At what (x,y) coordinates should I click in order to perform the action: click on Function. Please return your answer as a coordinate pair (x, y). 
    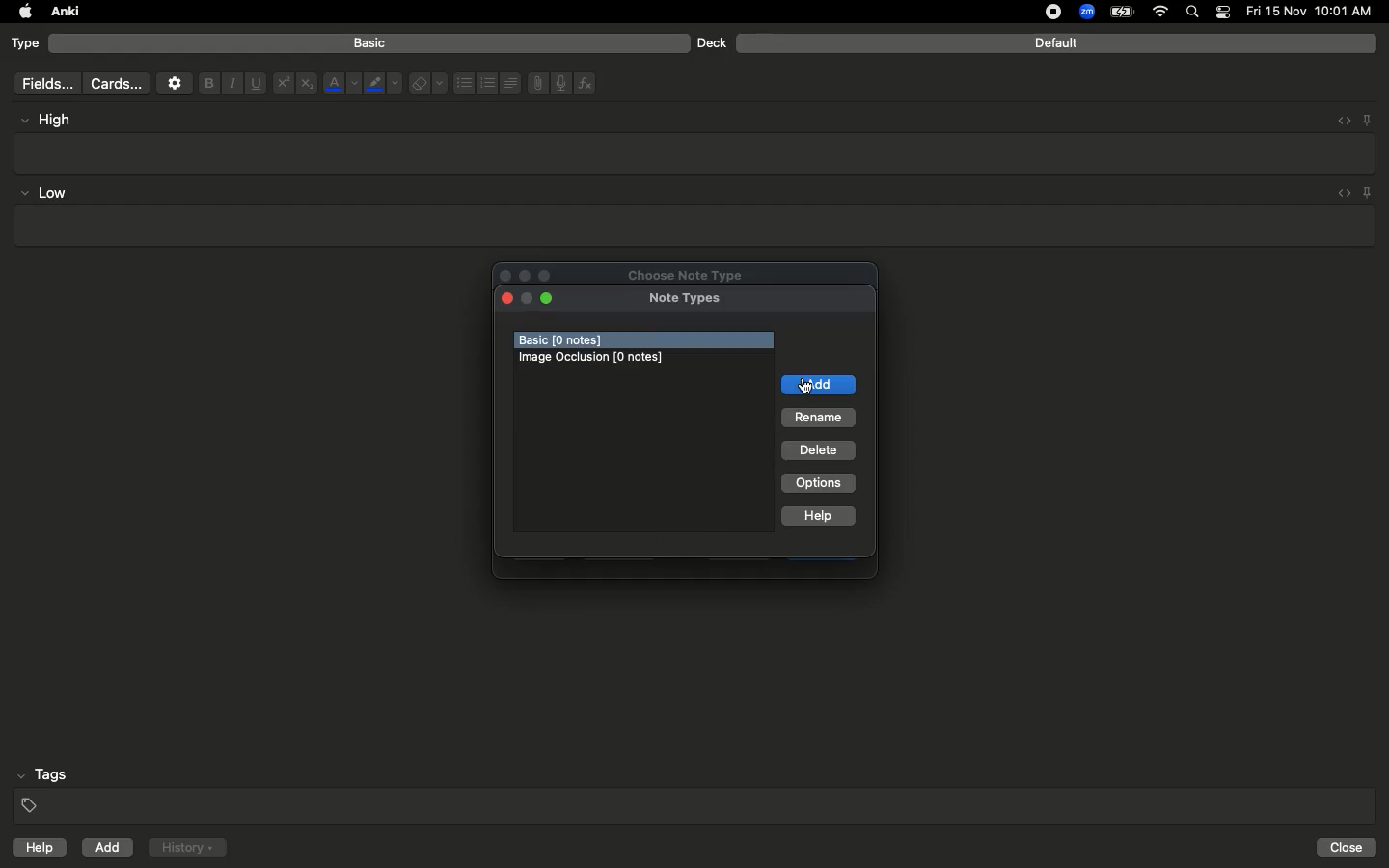
    Looking at the image, I should click on (586, 83).